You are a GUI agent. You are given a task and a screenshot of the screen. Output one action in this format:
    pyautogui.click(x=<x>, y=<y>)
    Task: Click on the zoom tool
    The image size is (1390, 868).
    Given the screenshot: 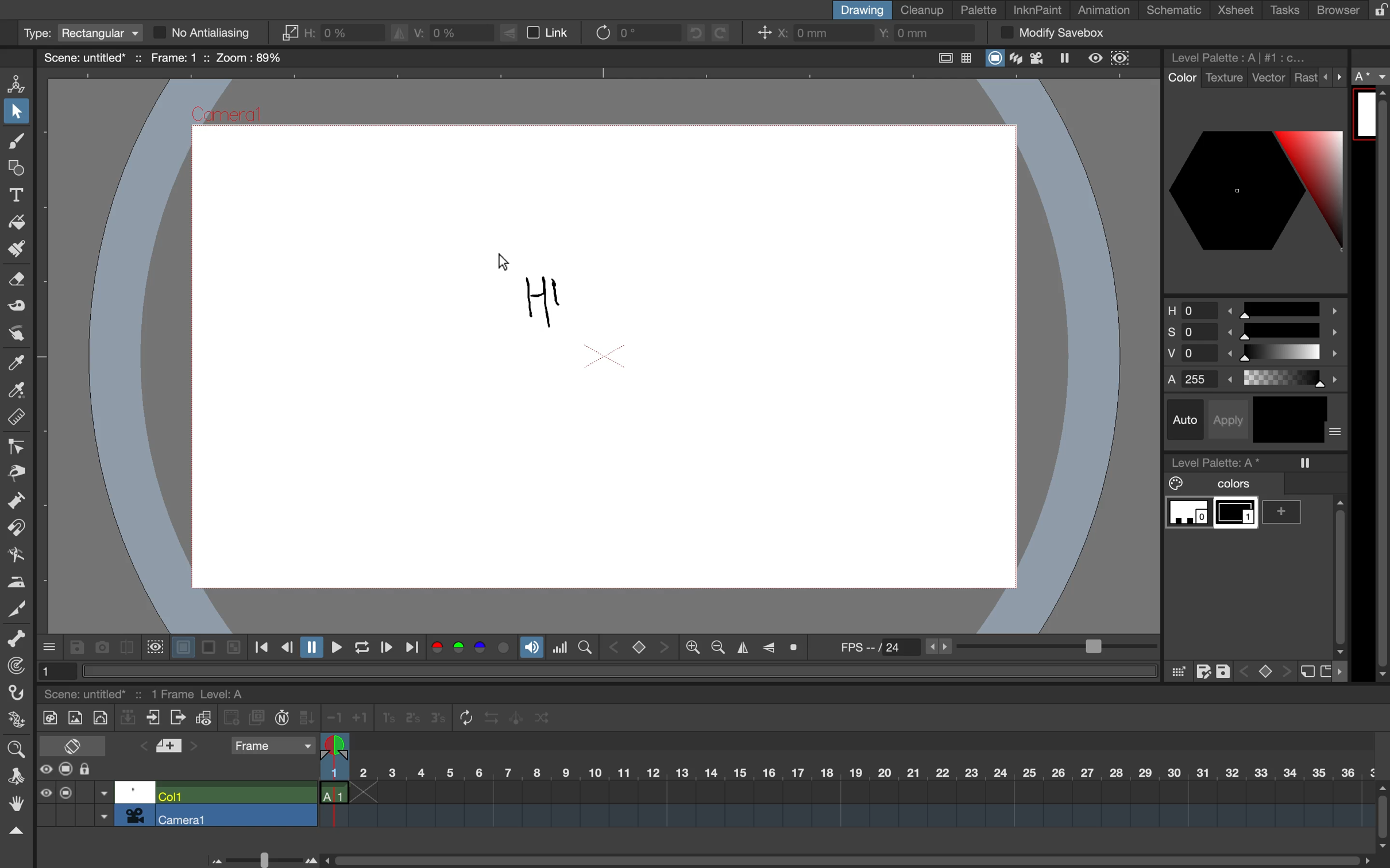 What is the action you would take?
    pyautogui.click(x=15, y=747)
    